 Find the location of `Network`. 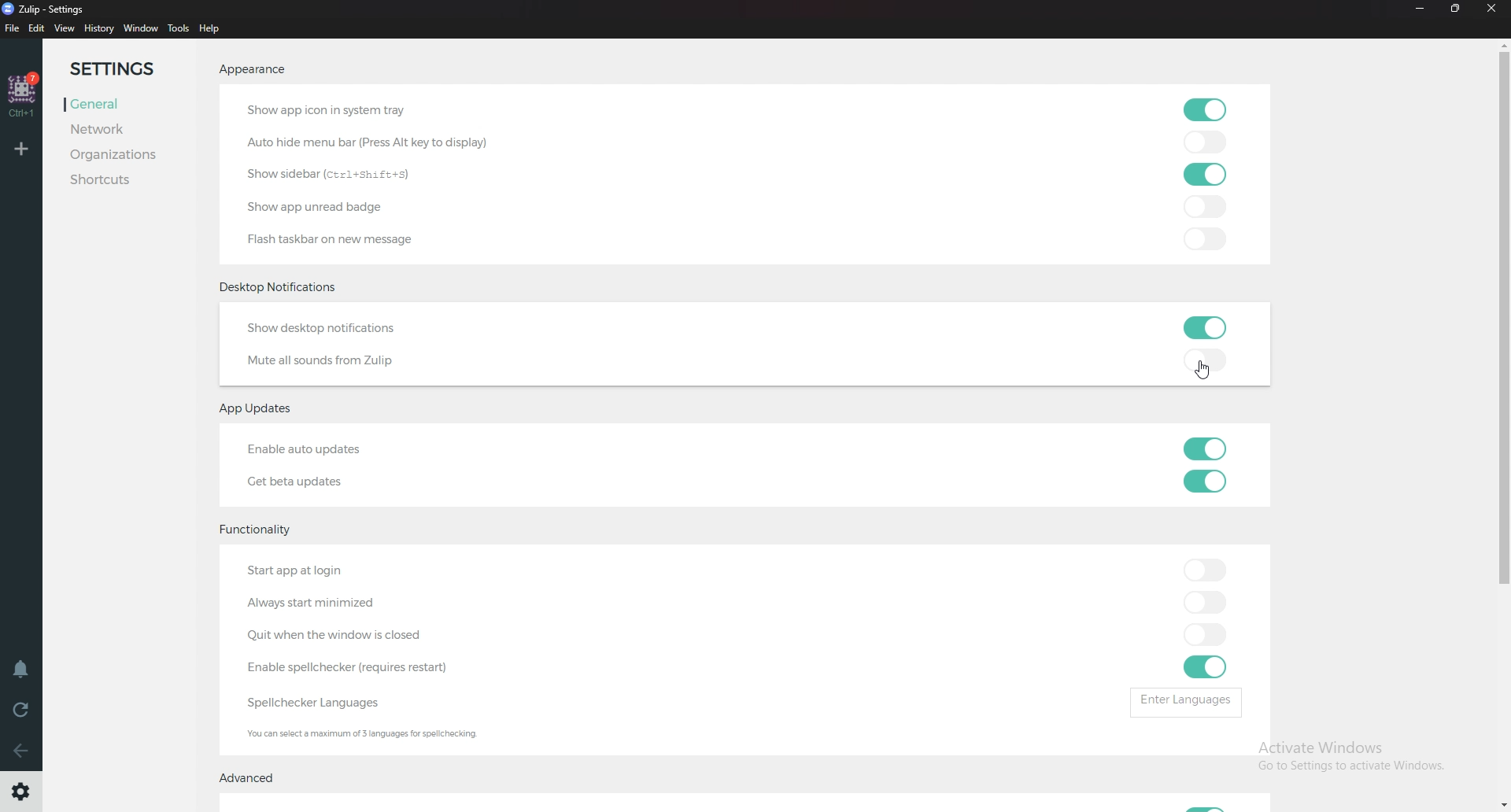

Network is located at coordinates (96, 130).